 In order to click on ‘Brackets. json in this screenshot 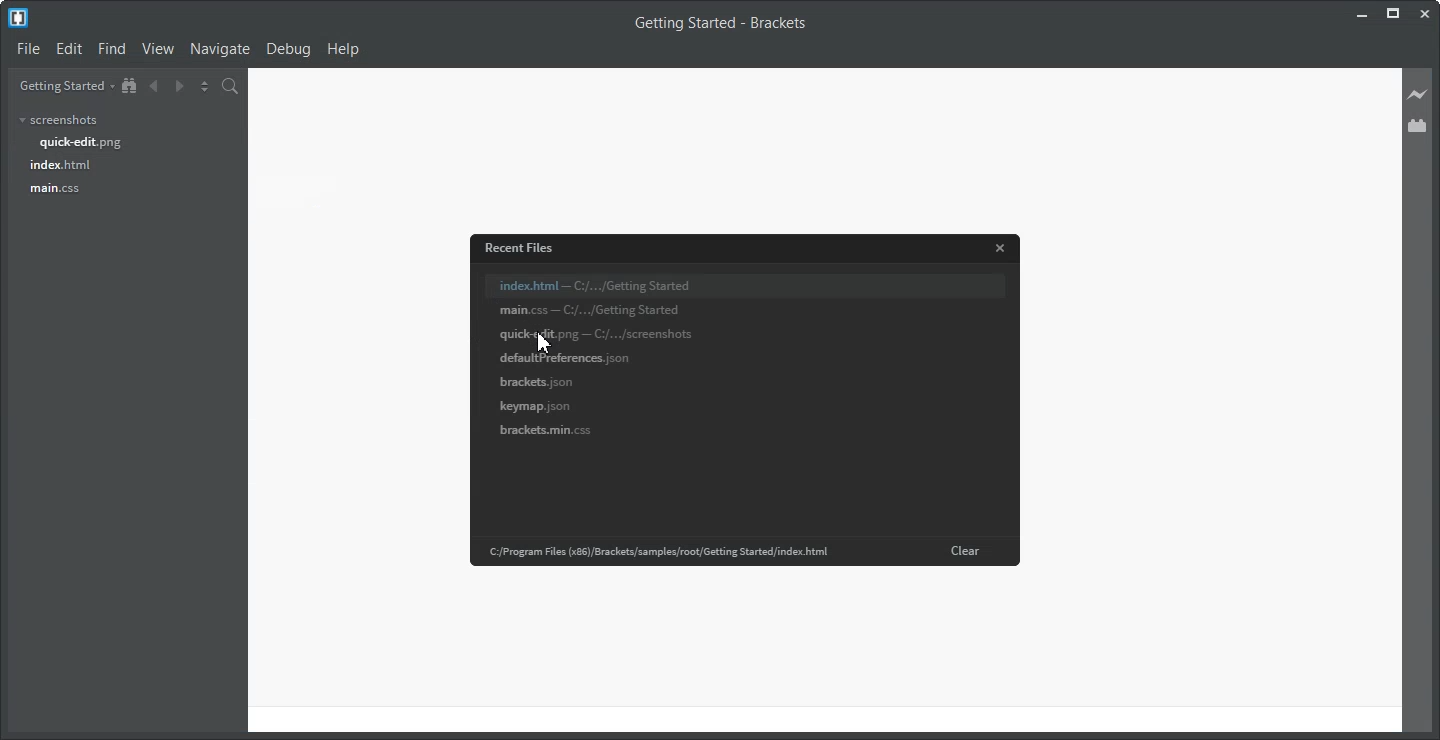, I will do `click(541, 381)`.